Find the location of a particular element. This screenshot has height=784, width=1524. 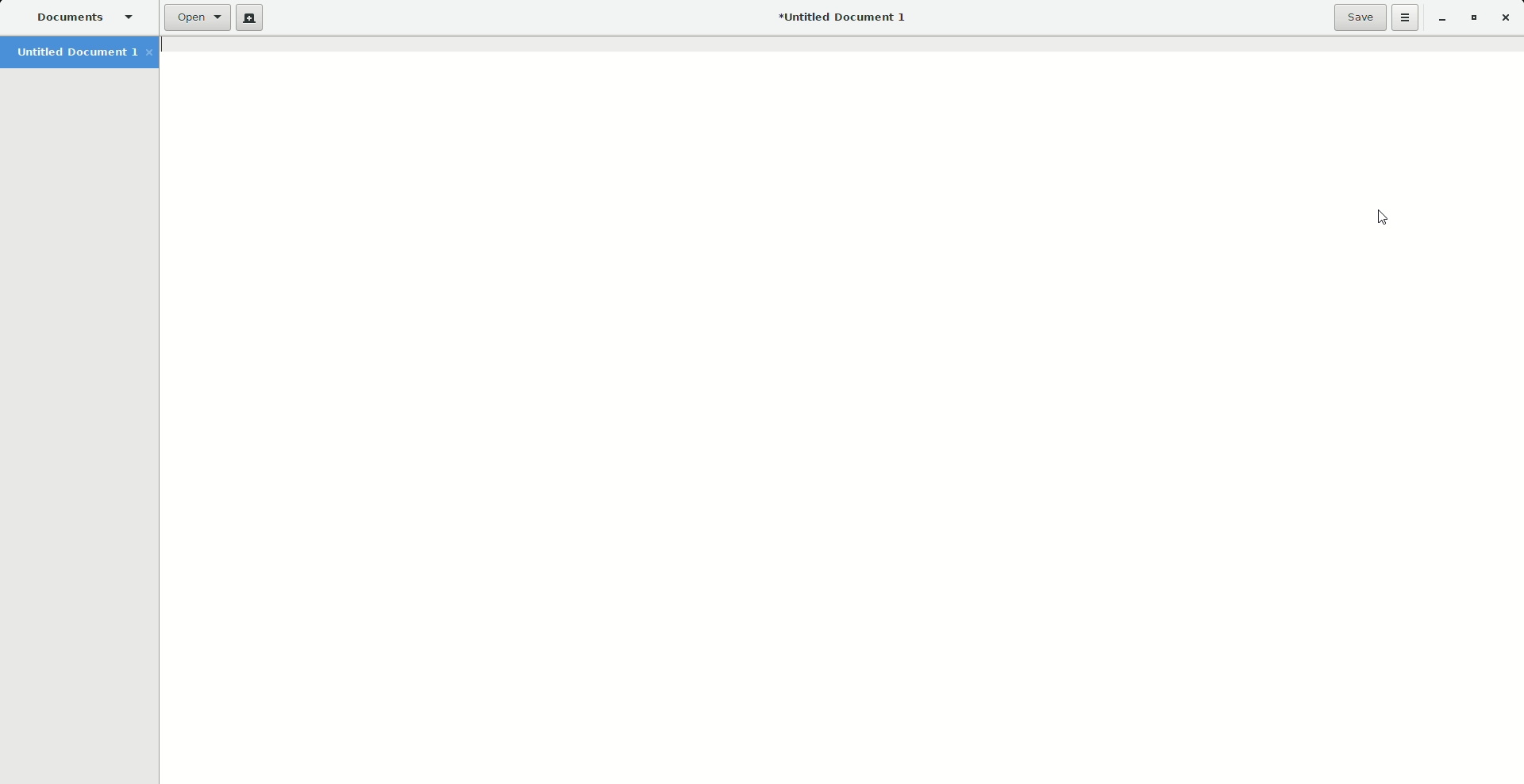

Specific line is located at coordinates (735, 45).